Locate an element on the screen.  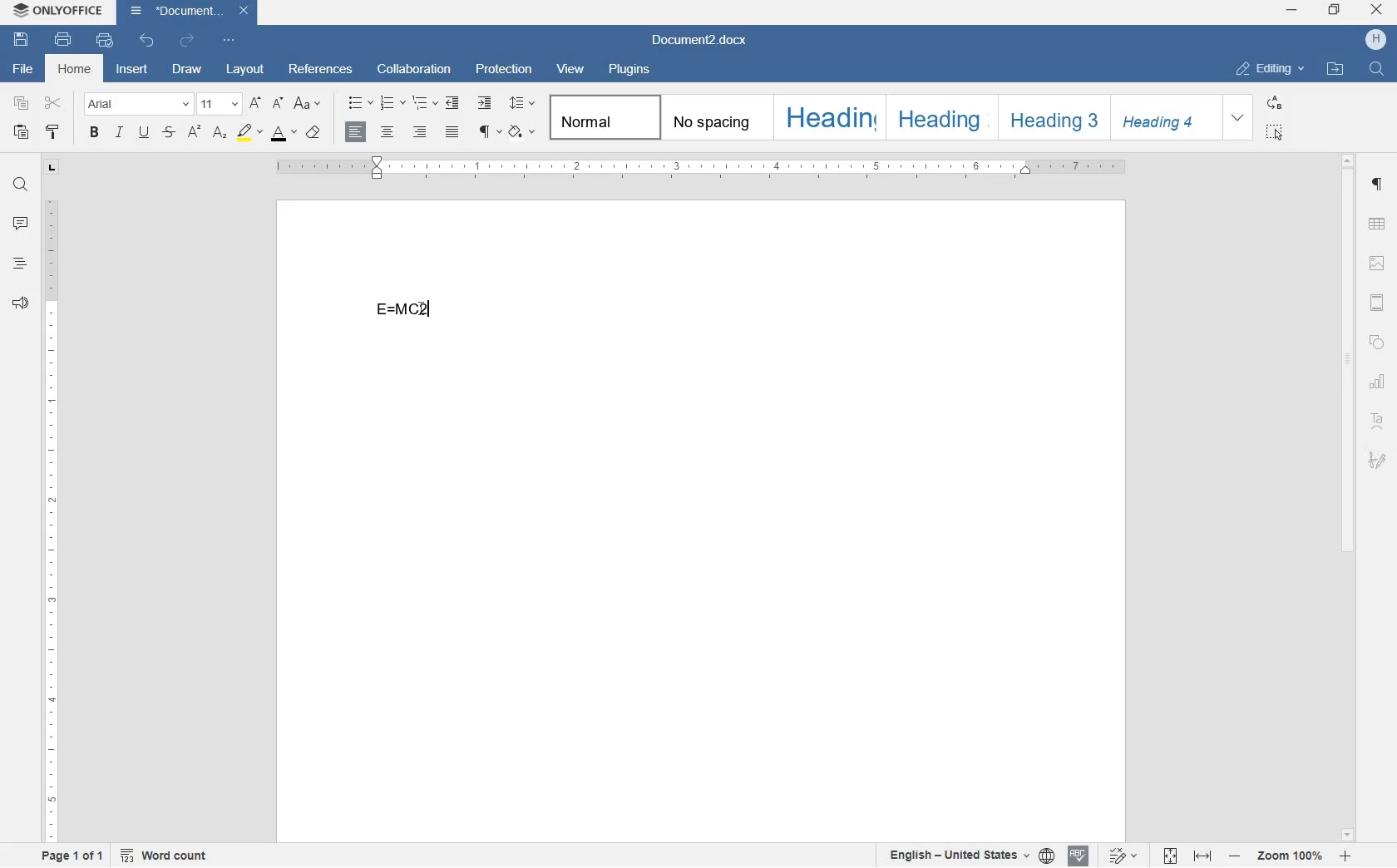
math equation is located at coordinates (438, 323).